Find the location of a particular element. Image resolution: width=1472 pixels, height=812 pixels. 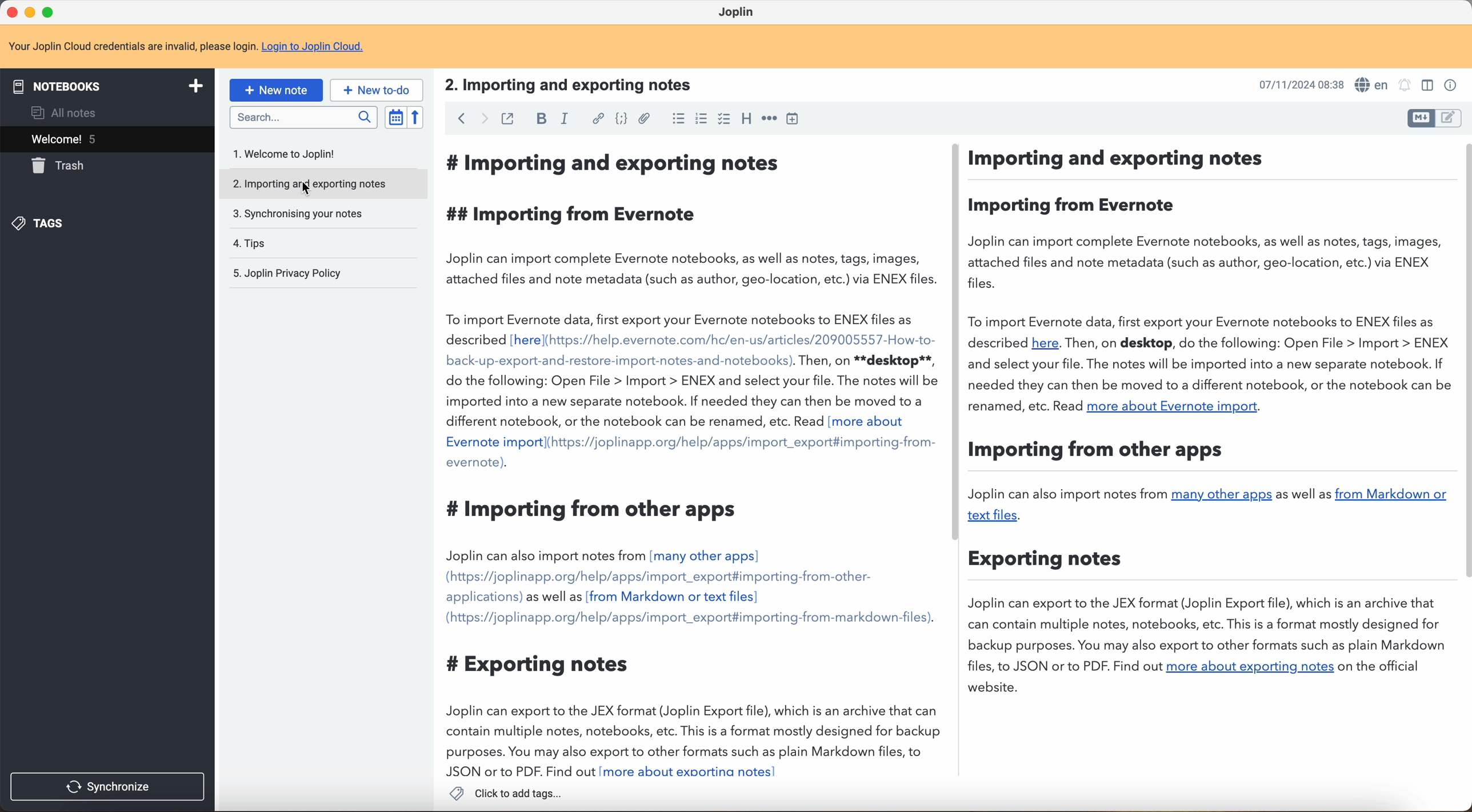

maximize is located at coordinates (49, 11).